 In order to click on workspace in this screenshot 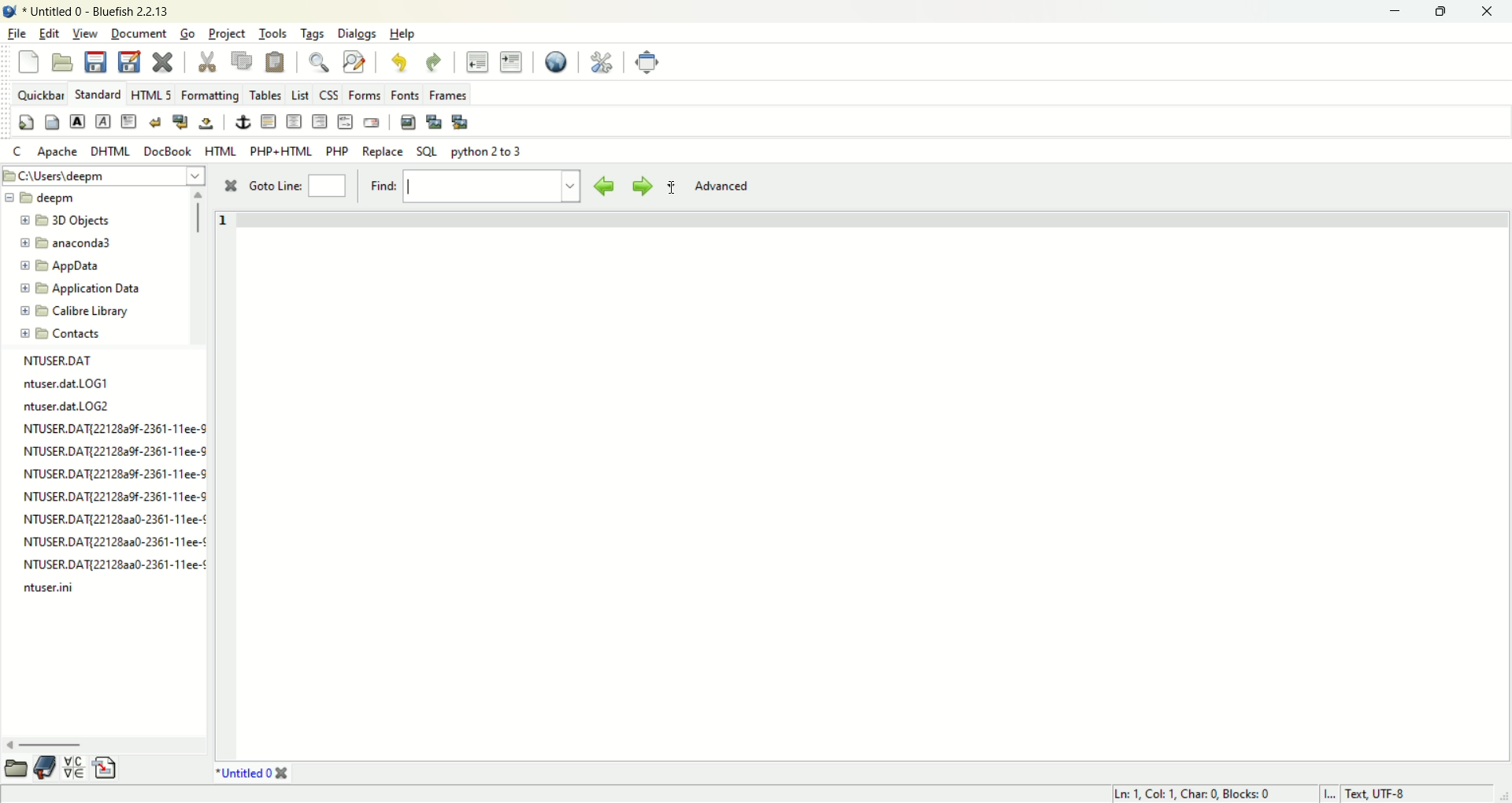, I will do `click(871, 483)`.